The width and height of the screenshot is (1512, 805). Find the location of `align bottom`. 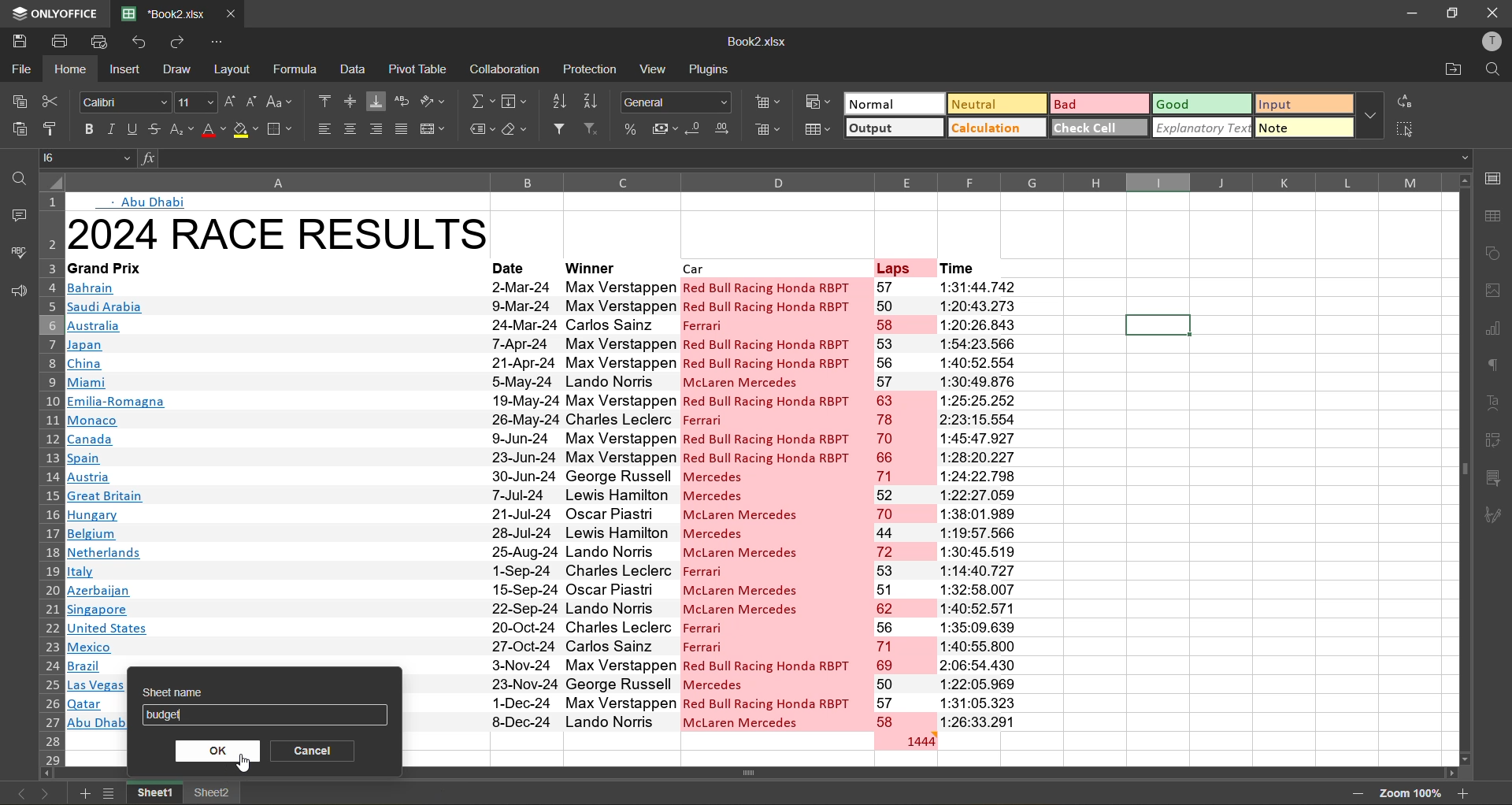

align bottom is located at coordinates (377, 99).